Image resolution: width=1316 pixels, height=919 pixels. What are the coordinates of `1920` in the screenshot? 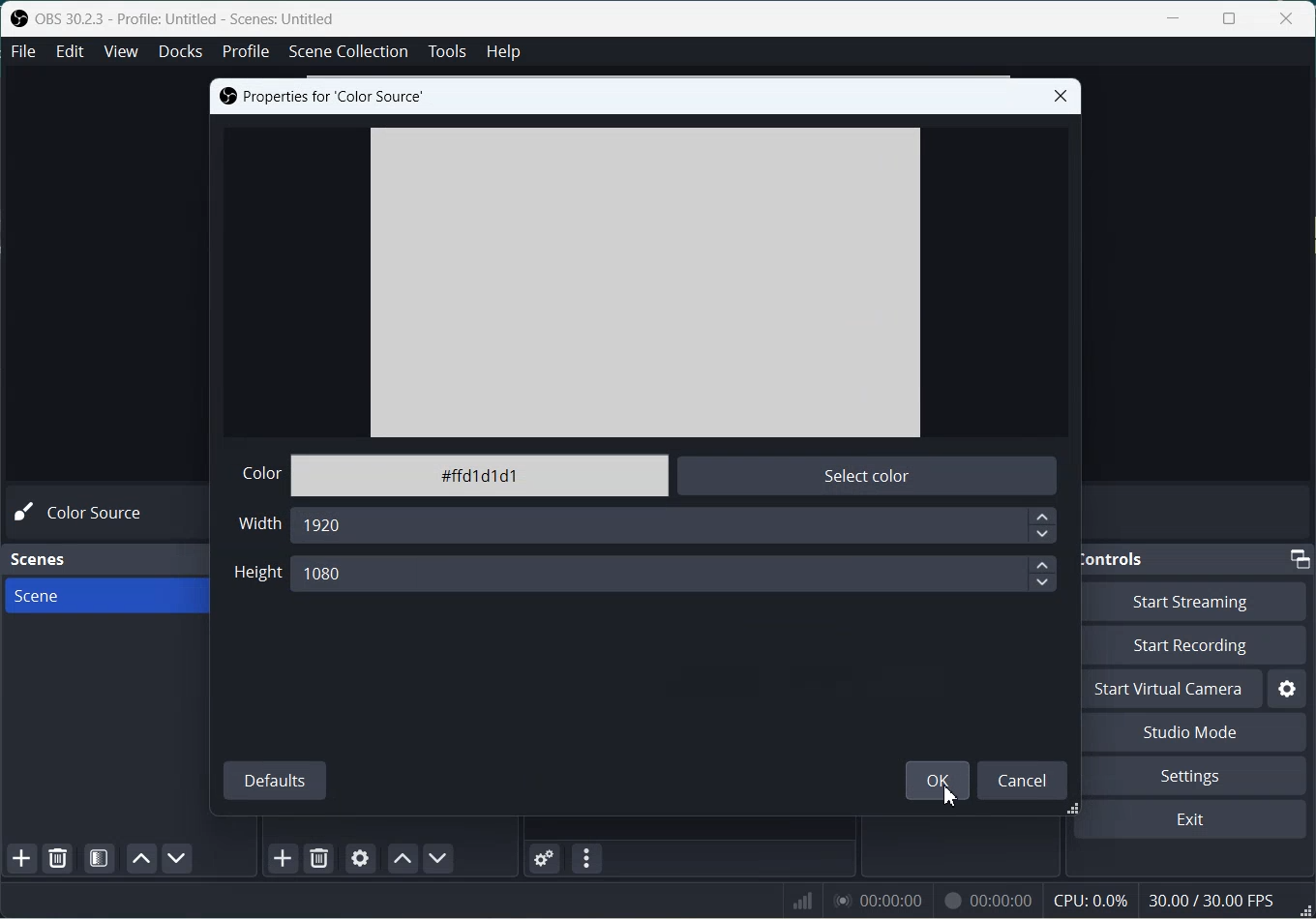 It's located at (672, 525).